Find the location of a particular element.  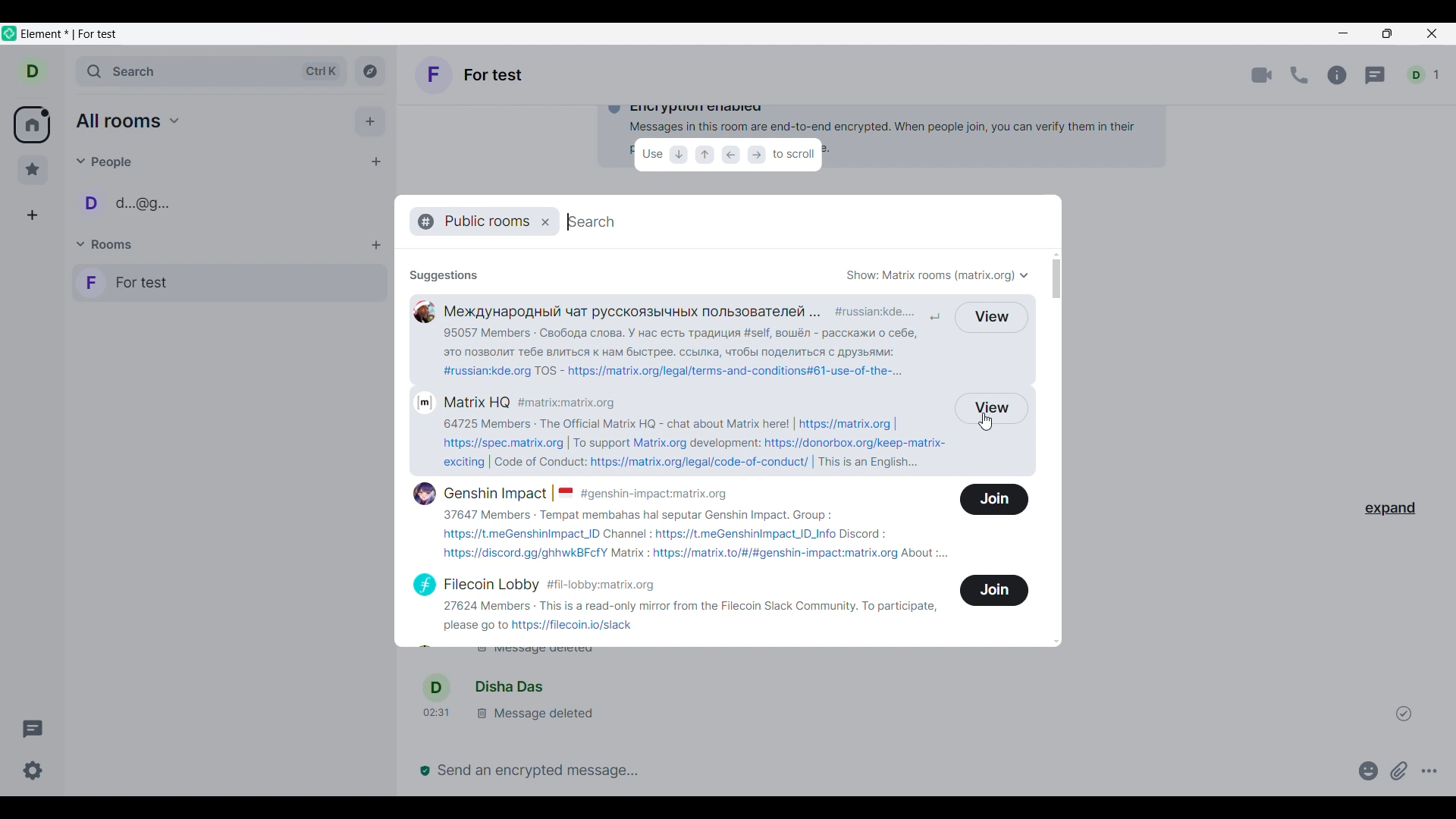

Room settings, Room Name: For test is located at coordinates (472, 74).